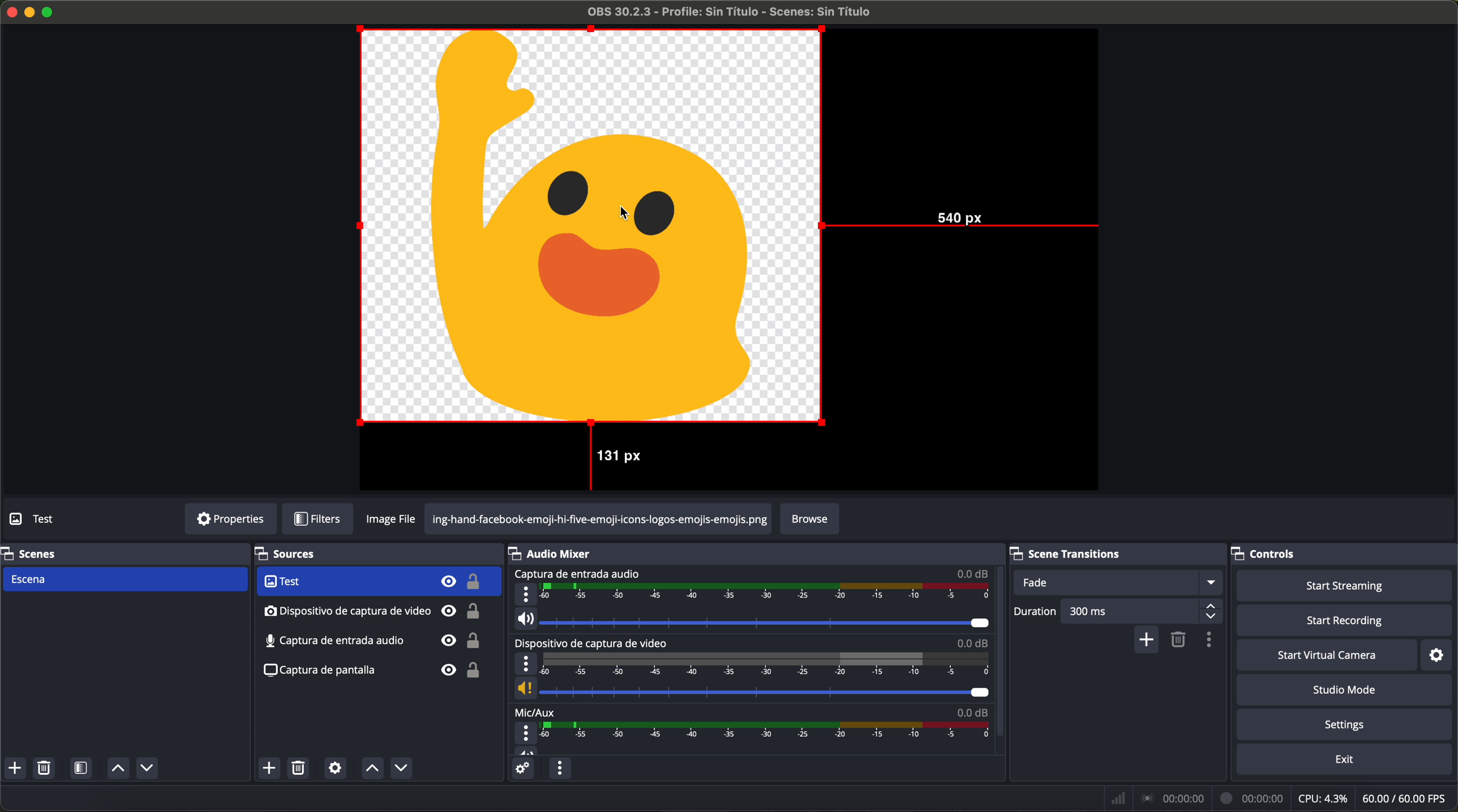 The image size is (1458, 812). Describe the element at coordinates (751, 689) in the screenshot. I see `vol` at that location.